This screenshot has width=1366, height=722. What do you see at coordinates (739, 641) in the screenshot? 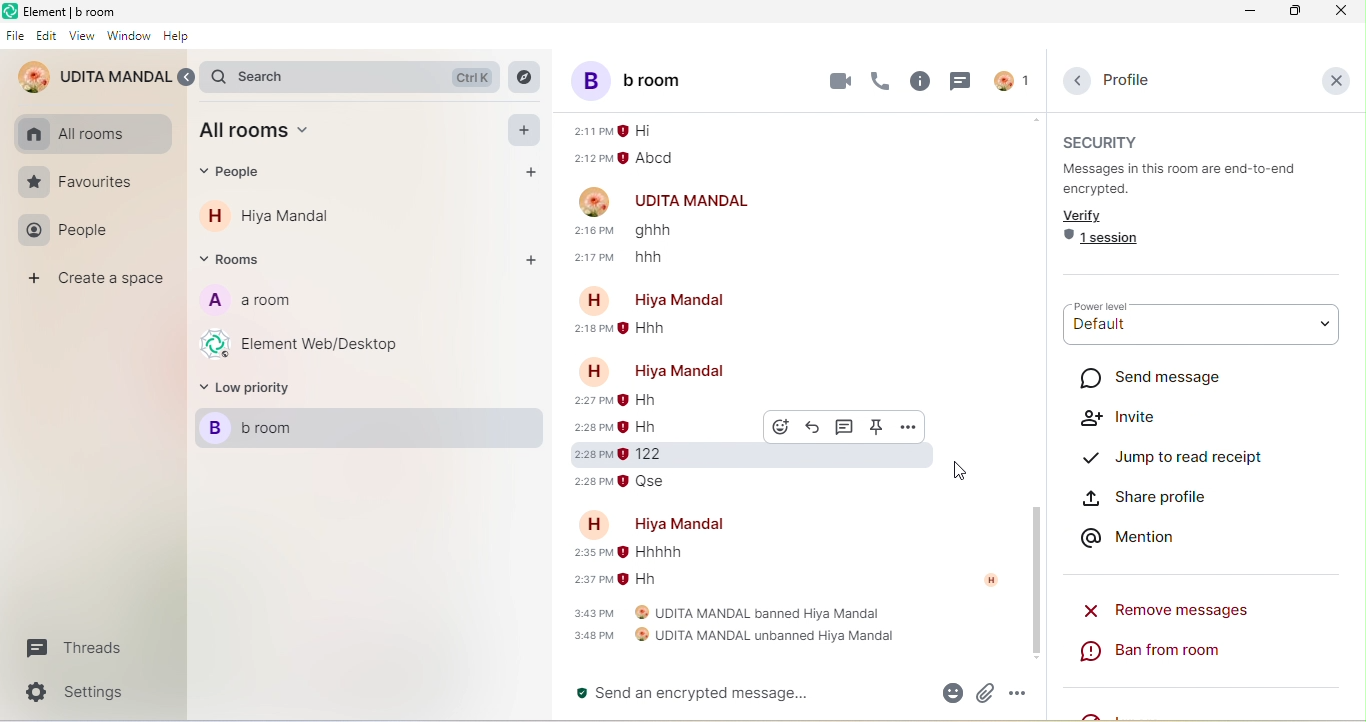
I see `udita mandal unbanned hiya mandal` at bounding box center [739, 641].